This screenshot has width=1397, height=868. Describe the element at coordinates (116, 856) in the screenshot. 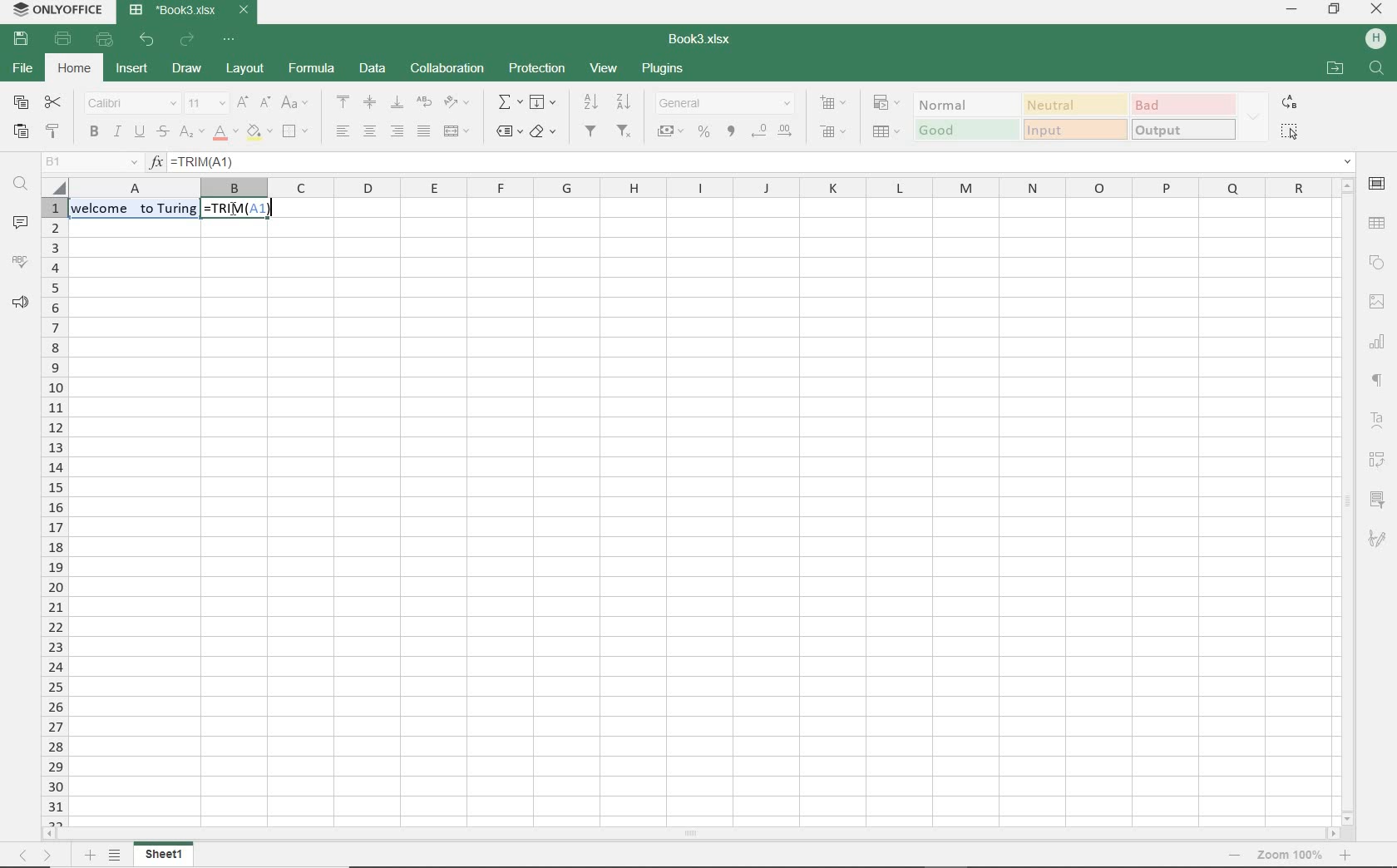

I see `list of sheets` at that location.